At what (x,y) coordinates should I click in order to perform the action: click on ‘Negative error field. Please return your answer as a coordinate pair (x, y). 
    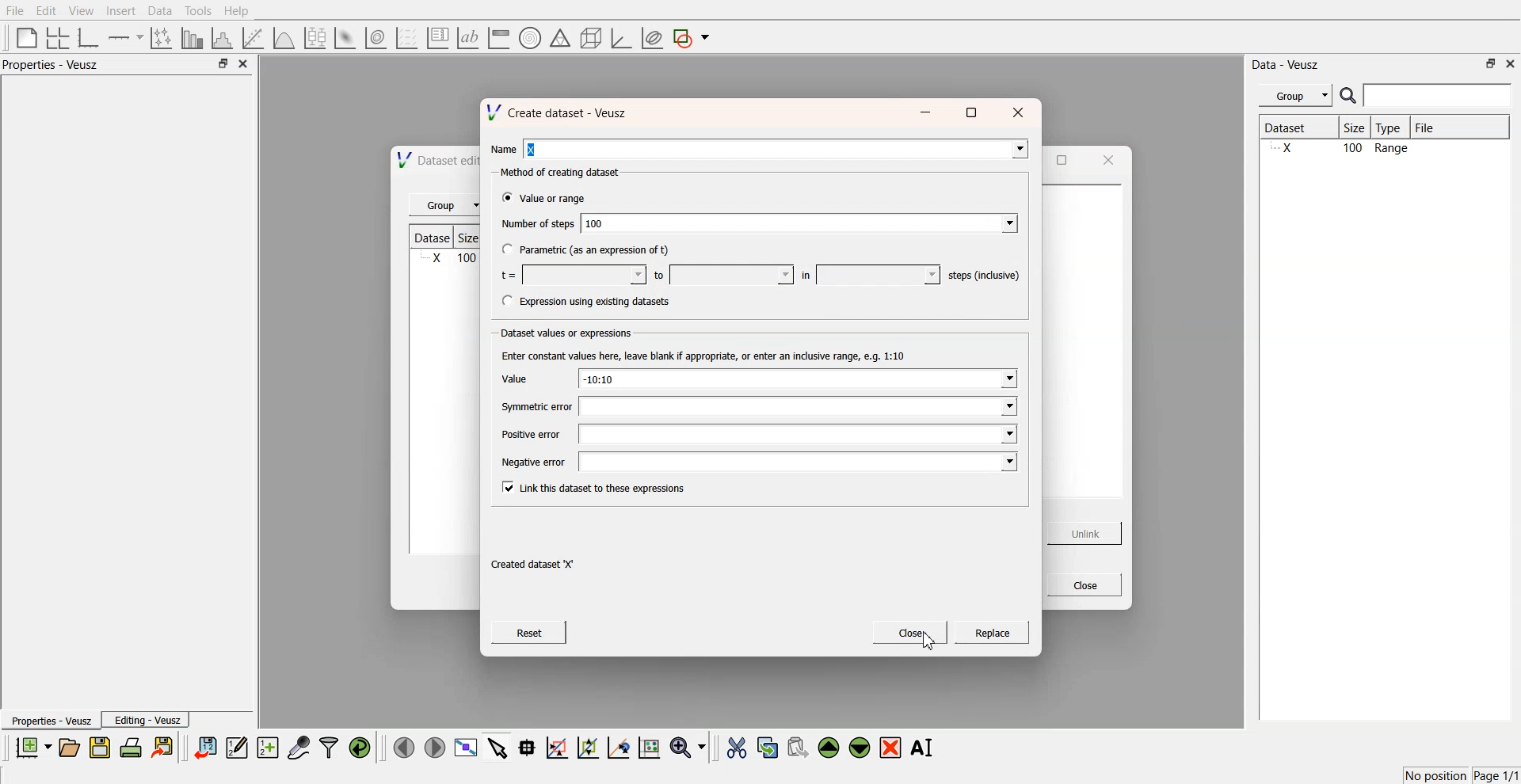
    Looking at the image, I should click on (797, 463).